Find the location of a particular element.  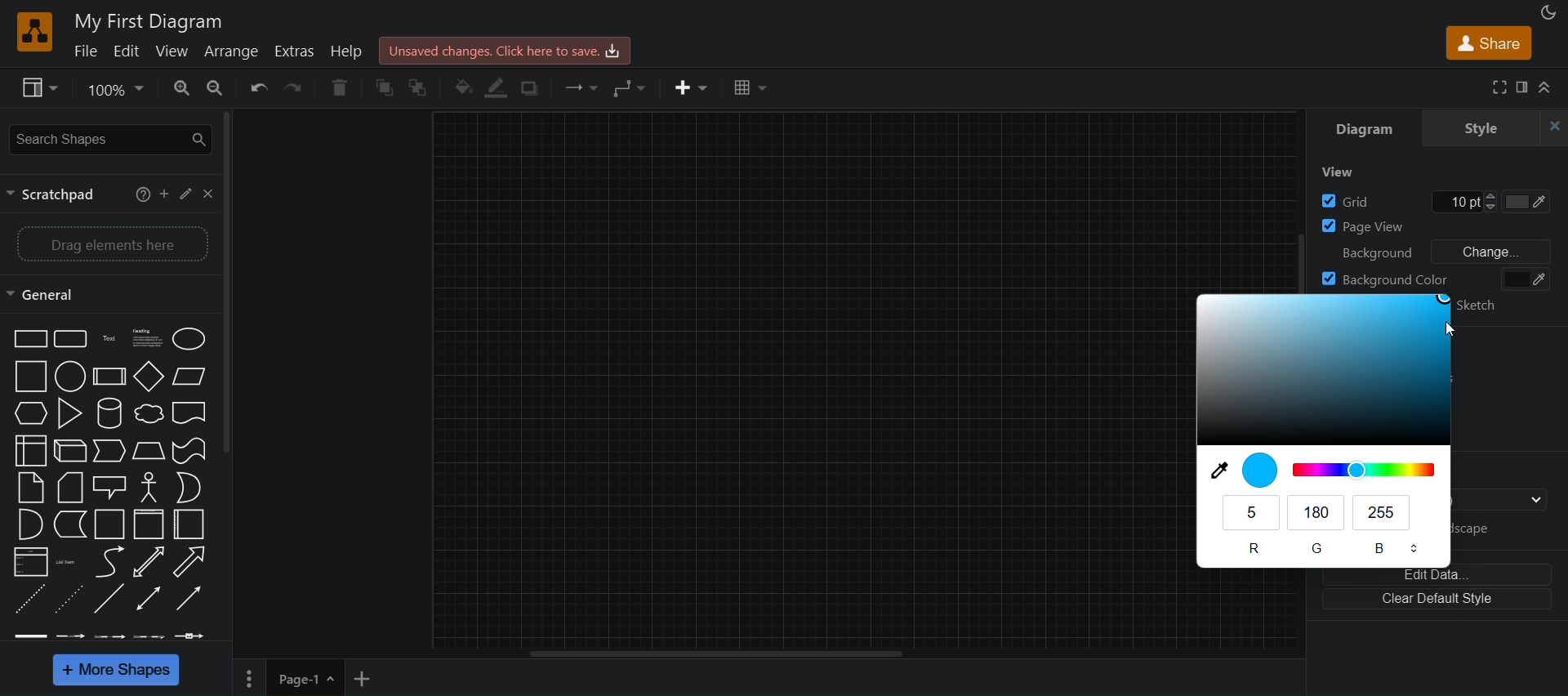

waypoints is located at coordinates (630, 89).